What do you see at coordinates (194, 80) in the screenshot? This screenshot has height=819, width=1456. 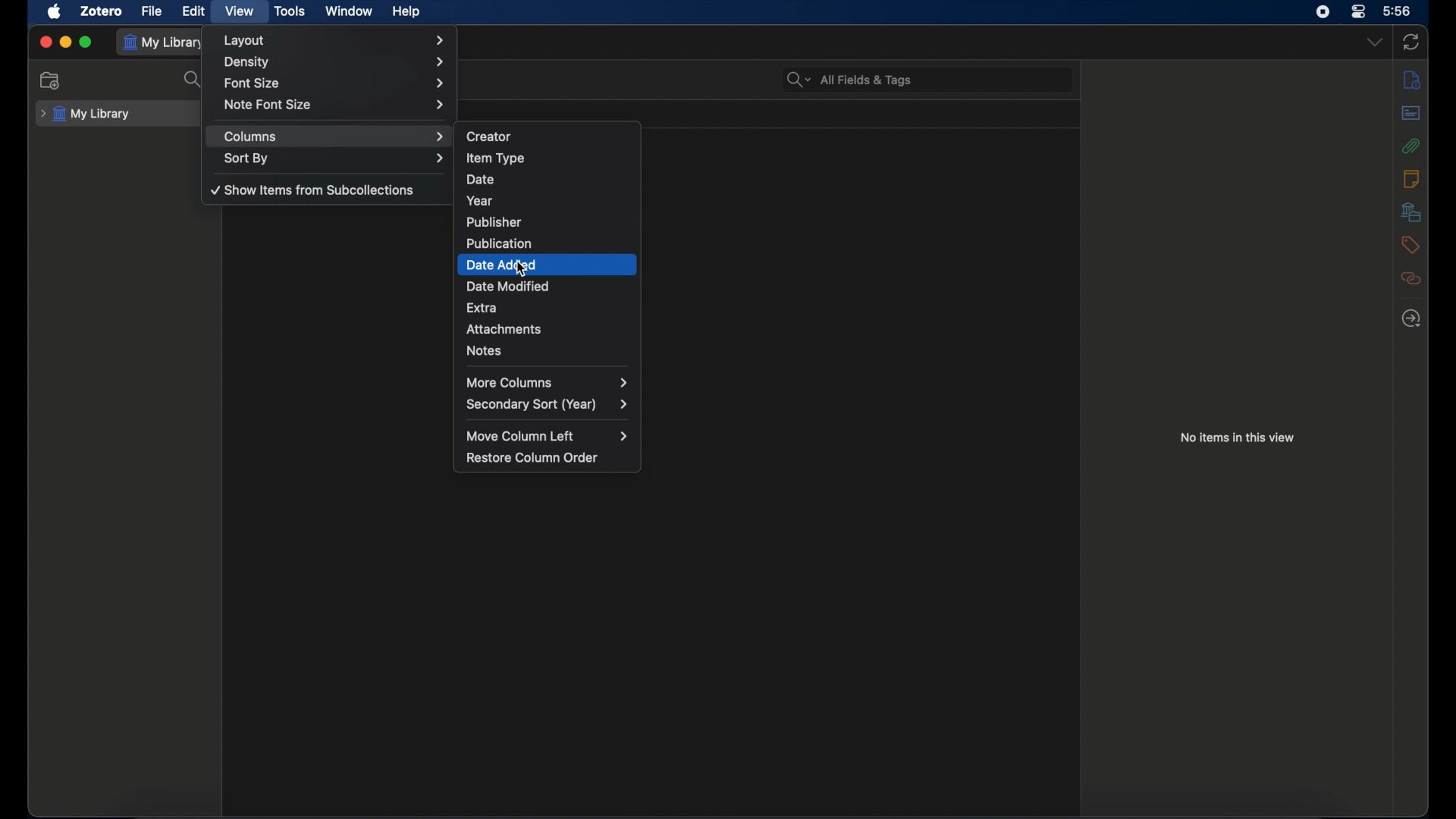 I see `search` at bounding box center [194, 80].